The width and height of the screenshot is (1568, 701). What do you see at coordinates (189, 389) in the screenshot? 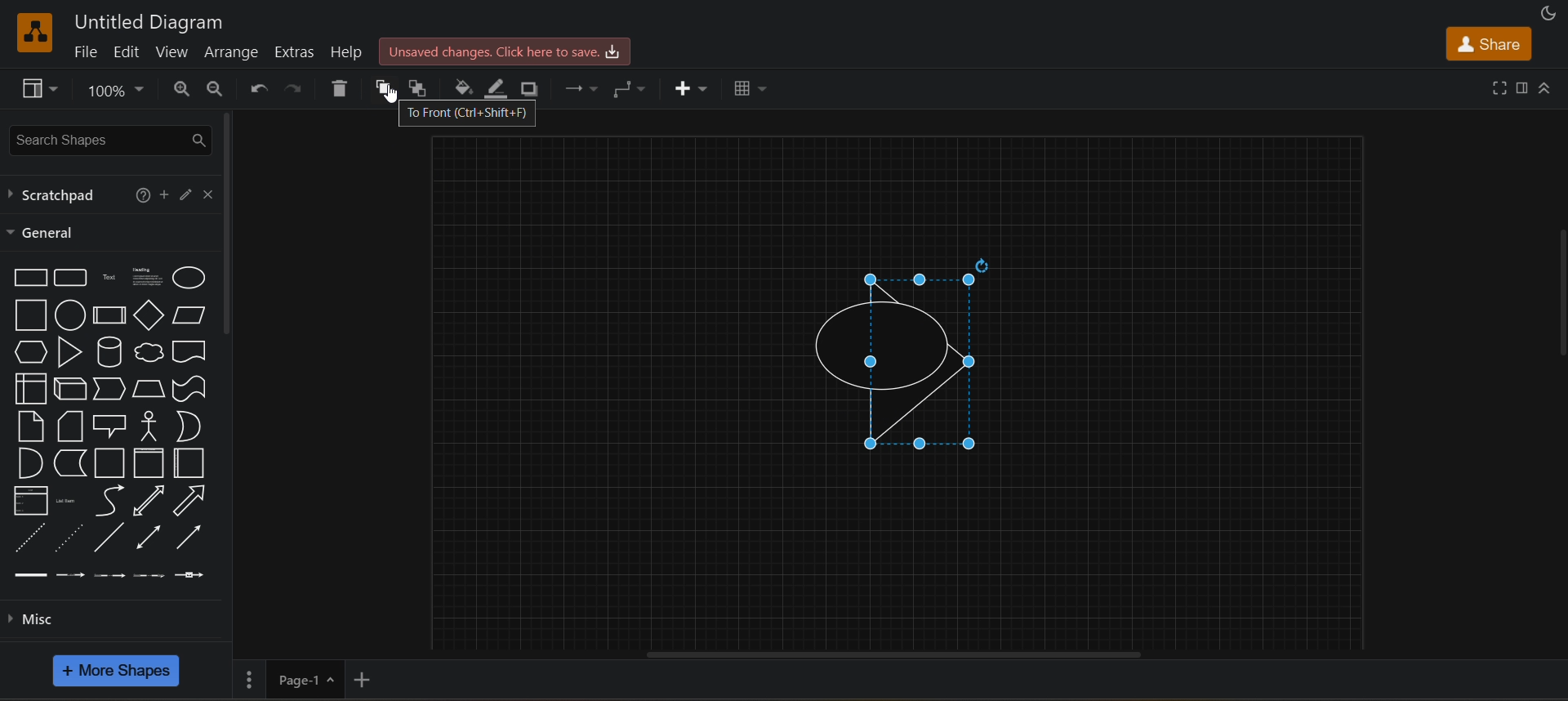
I see `tape` at bounding box center [189, 389].